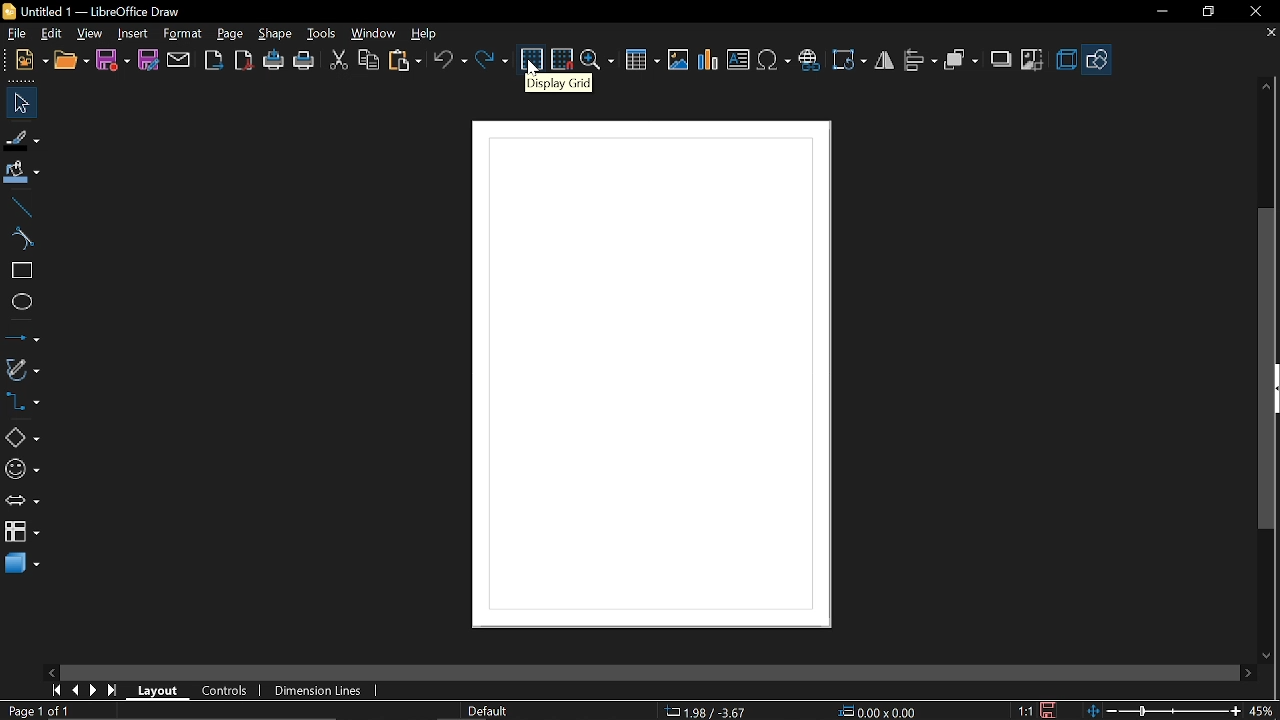 The image size is (1280, 720). I want to click on Page, so click(230, 34).